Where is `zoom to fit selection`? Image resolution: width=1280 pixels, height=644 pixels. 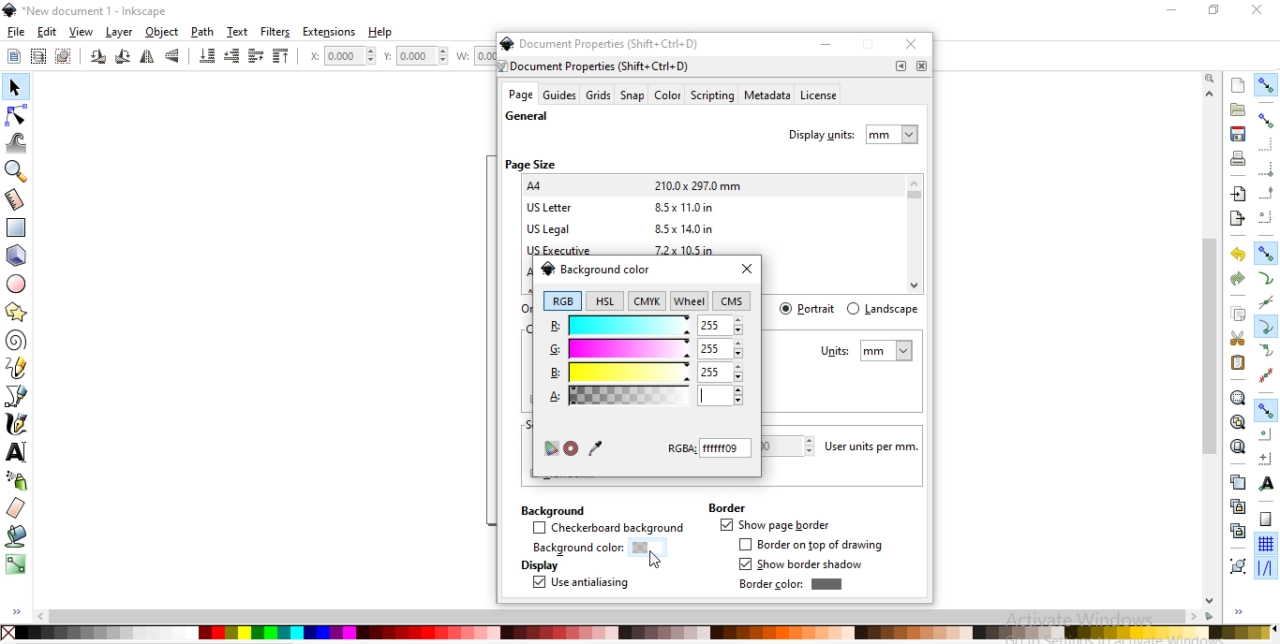
zoom to fit selection is located at coordinates (1237, 398).